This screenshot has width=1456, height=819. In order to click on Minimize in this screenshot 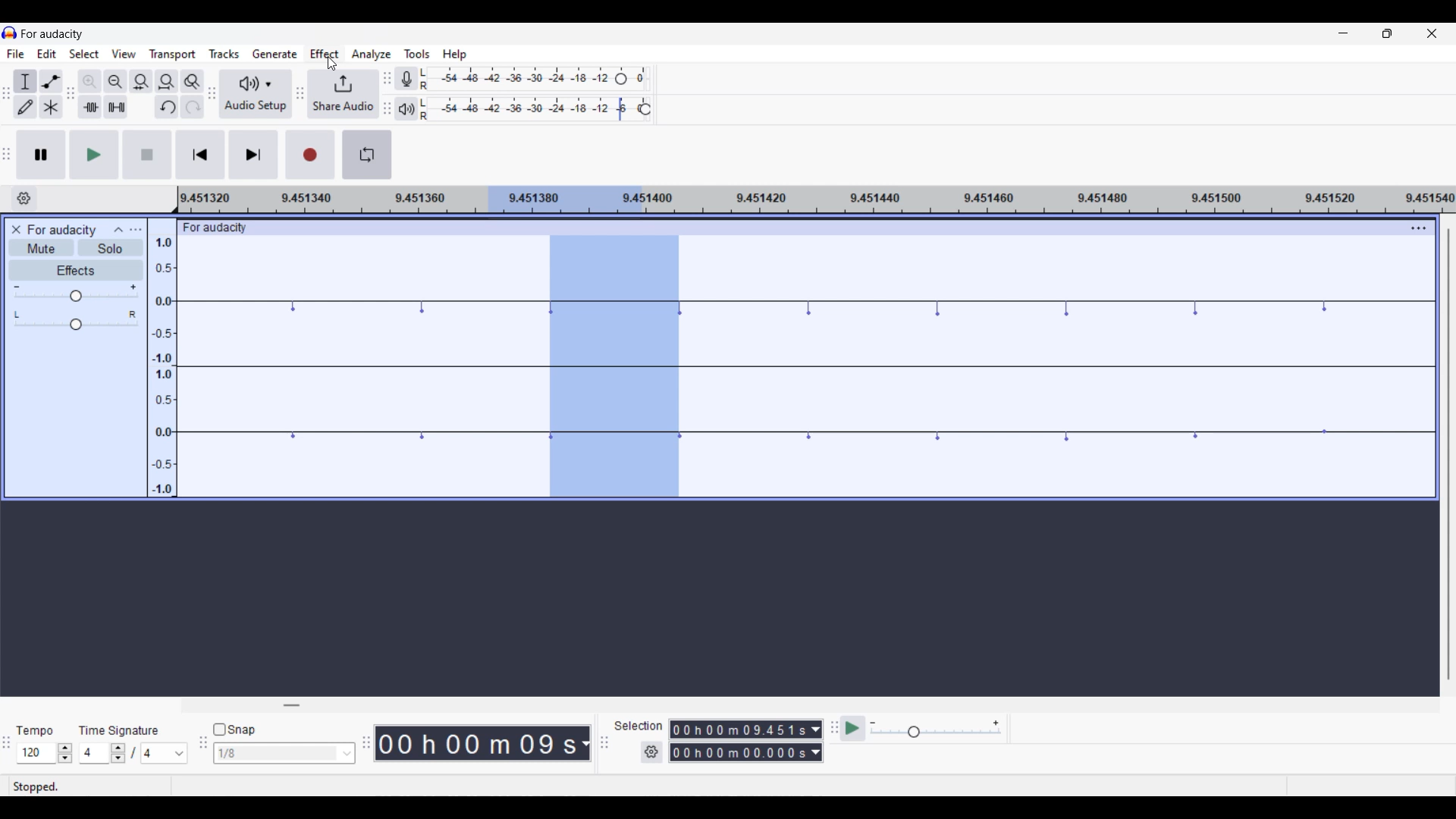, I will do `click(1343, 33)`.